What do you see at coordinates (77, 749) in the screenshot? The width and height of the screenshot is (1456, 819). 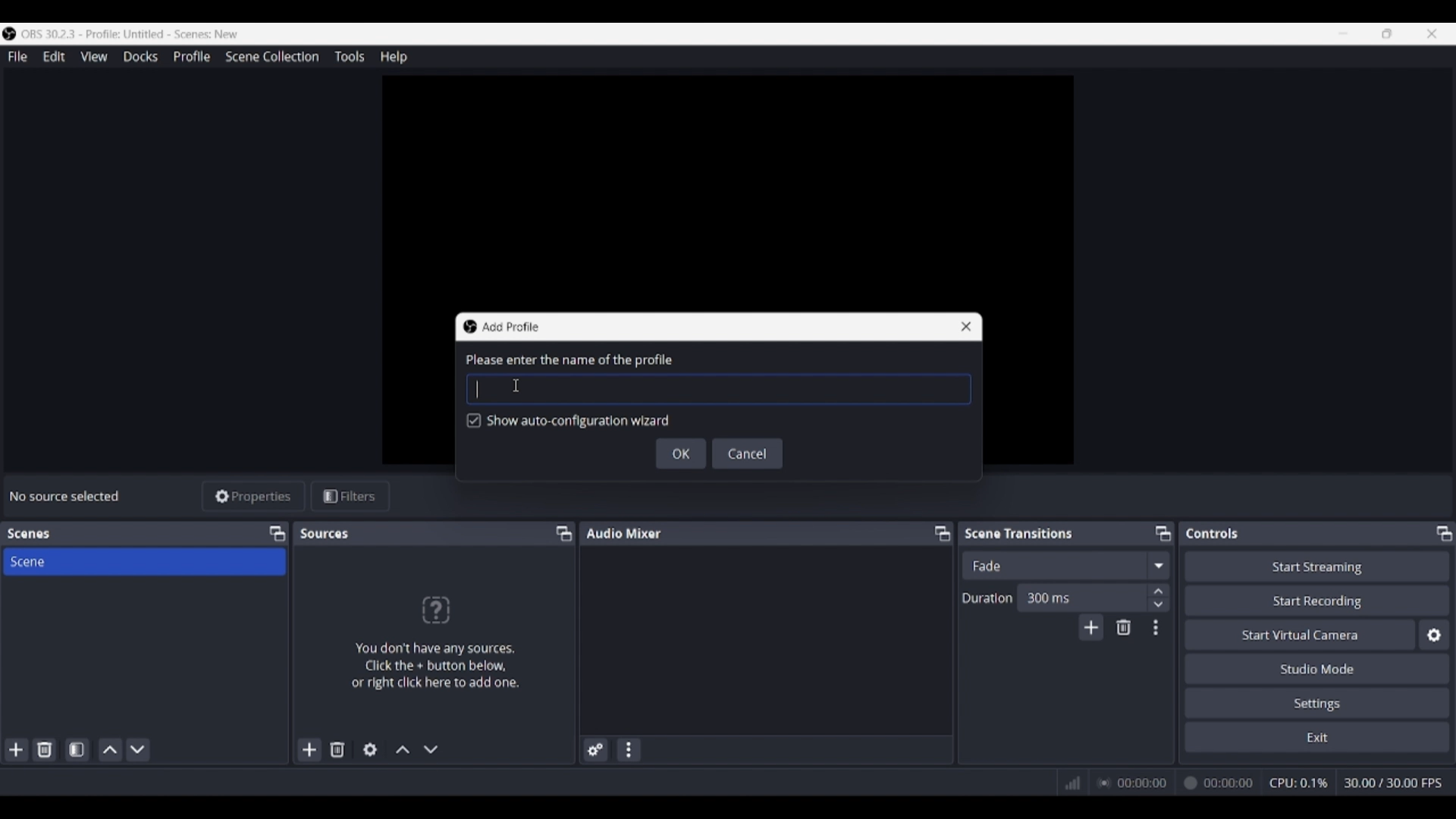 I see `Open scene filters` at bounding box center [77, 749].